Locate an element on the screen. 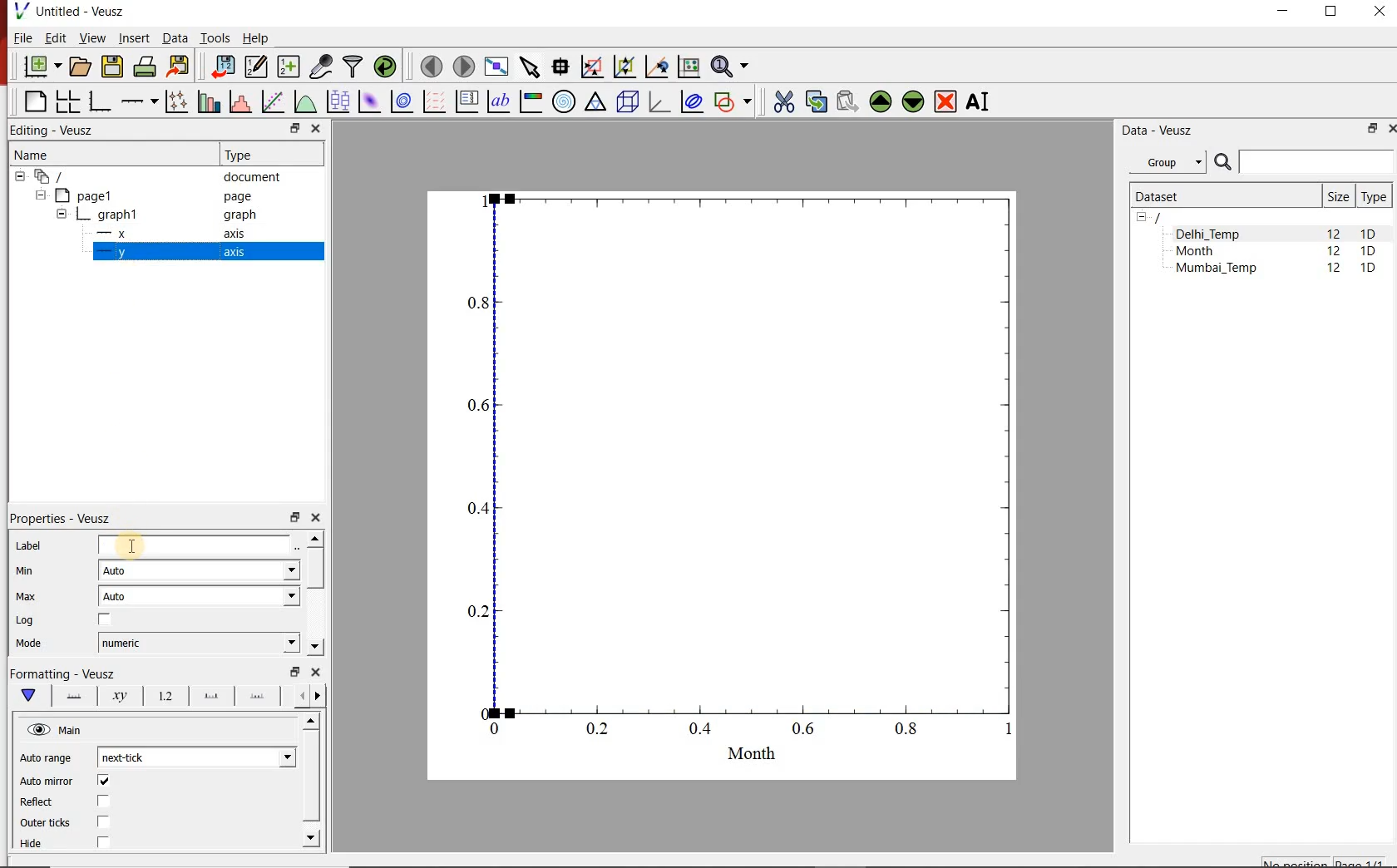  cut the selected widget is located at coordinates (783, 101).